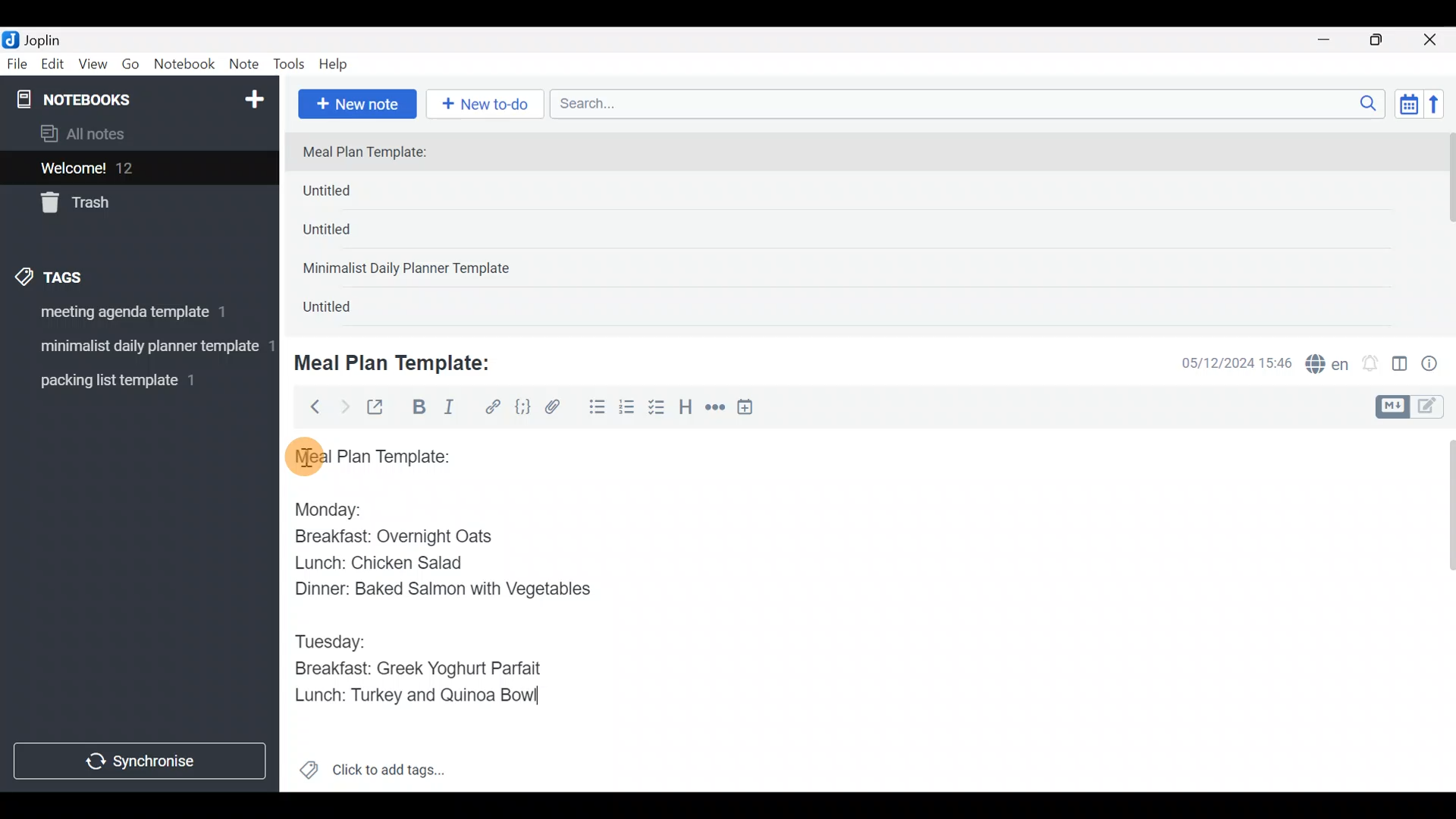 Image resolution: width=1456 pixels, height=819 pixels. Describe the element at coordinates (627, 410) in the screenshot. I see `Numbered list` at that location.